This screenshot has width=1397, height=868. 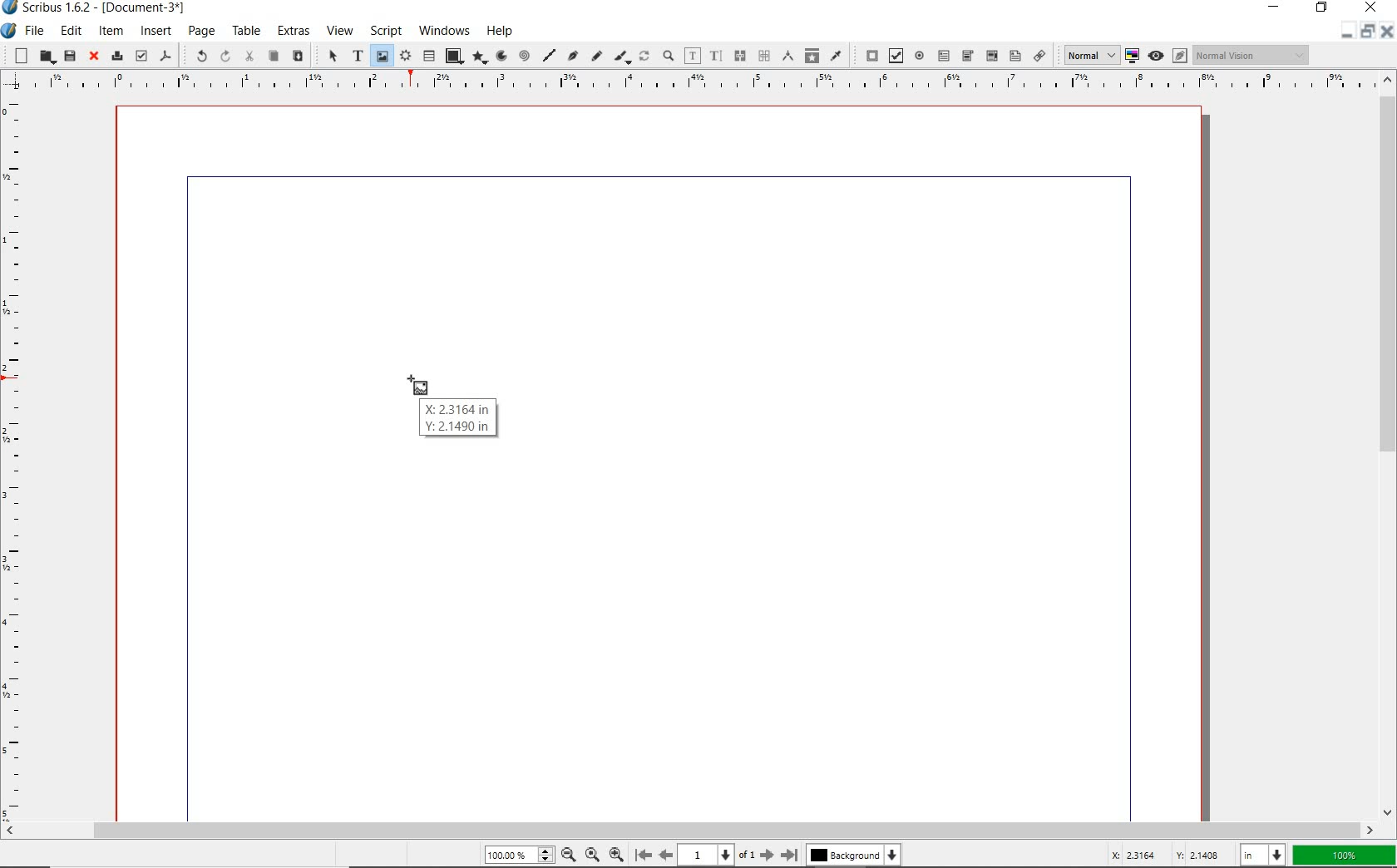 I want to click on link annotation, so click(x=1041, y=57).